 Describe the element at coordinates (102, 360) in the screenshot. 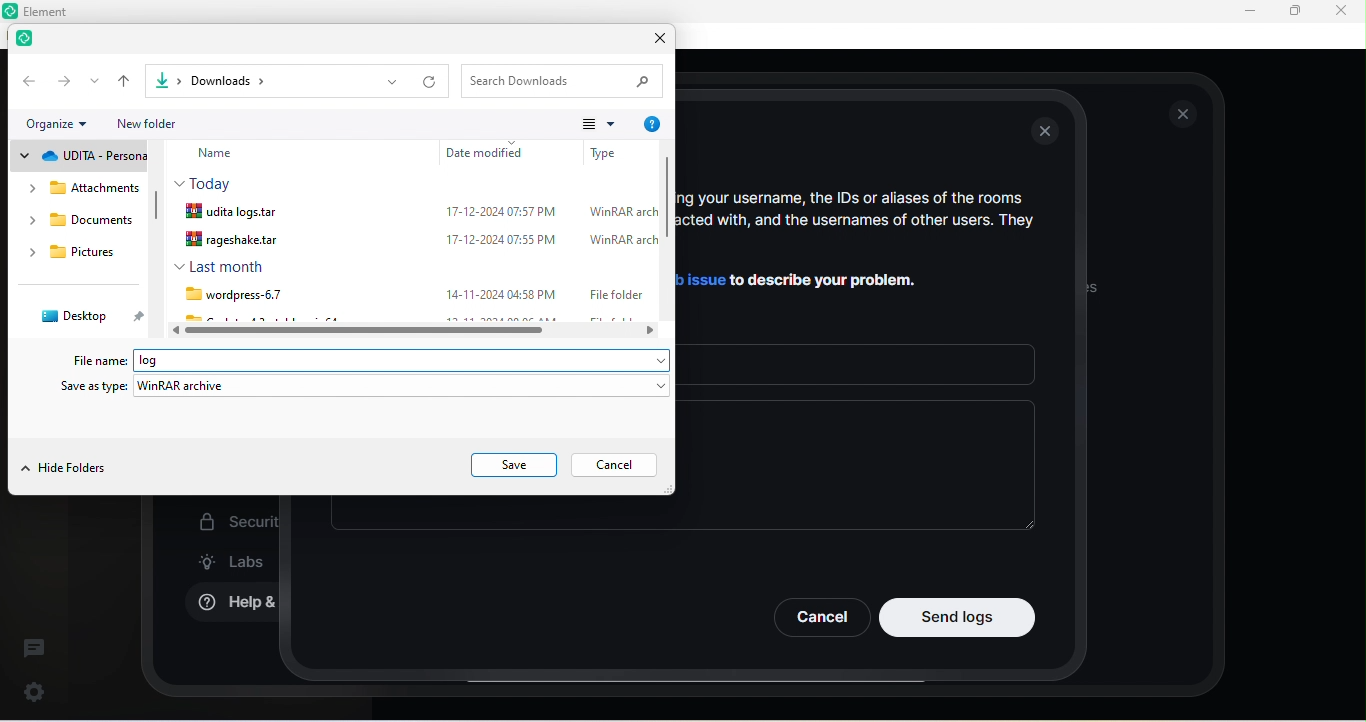

I see `file name` at that location.